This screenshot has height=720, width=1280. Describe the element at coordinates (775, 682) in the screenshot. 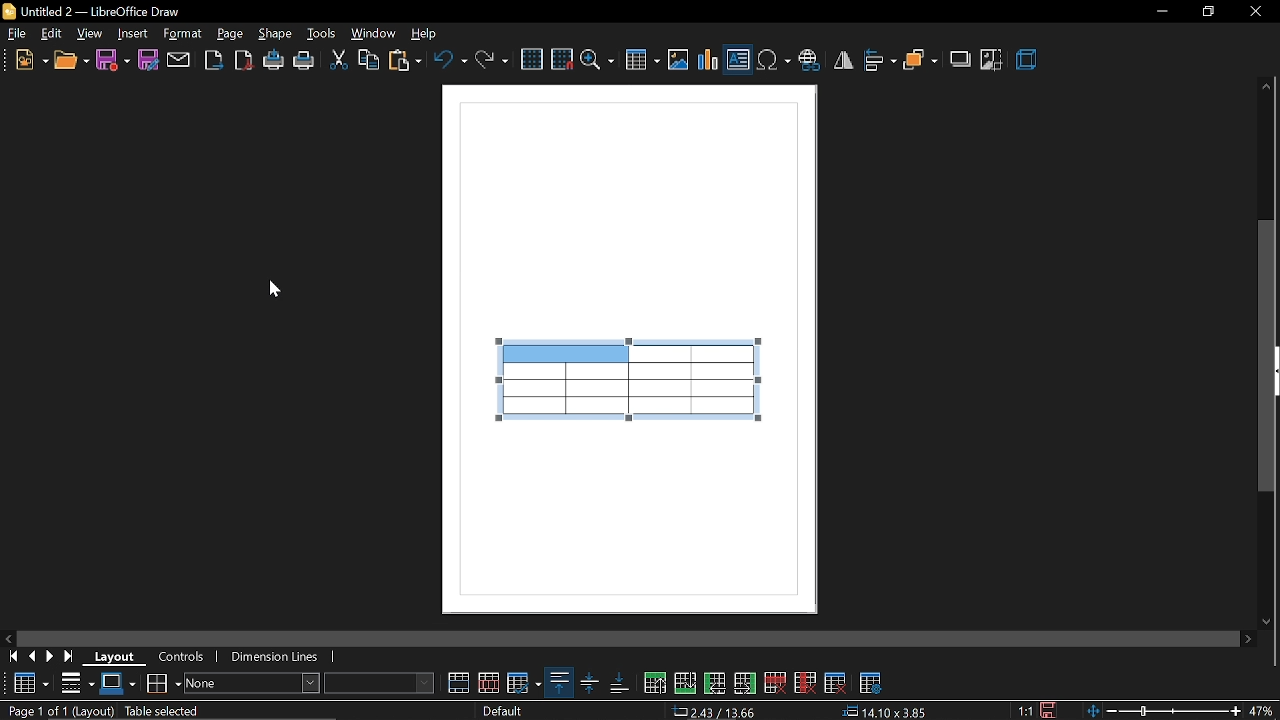

I see `delete row` at that location.